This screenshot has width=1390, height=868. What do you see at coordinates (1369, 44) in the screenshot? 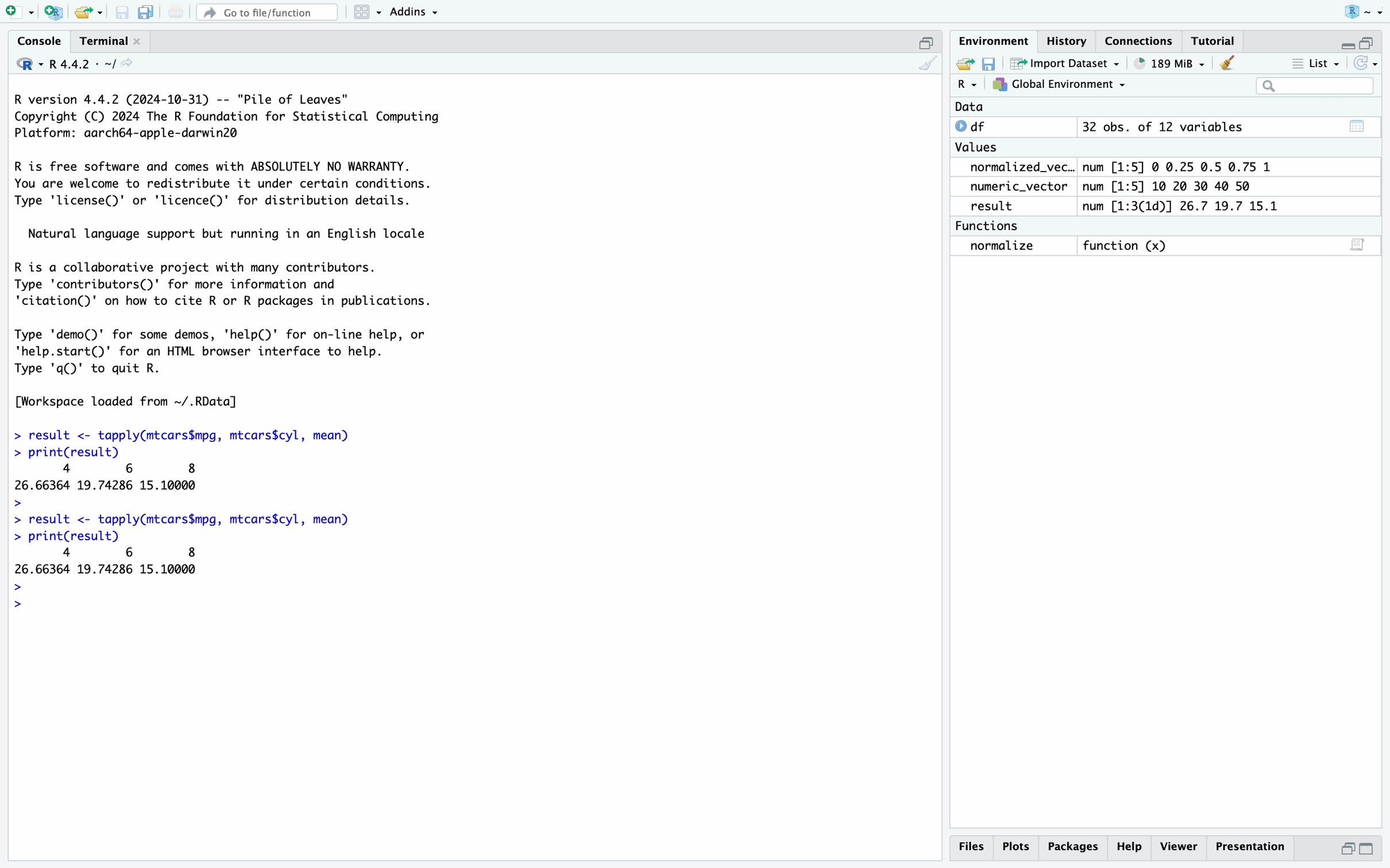
I see `Half height` at bounding box center [1369, 44].